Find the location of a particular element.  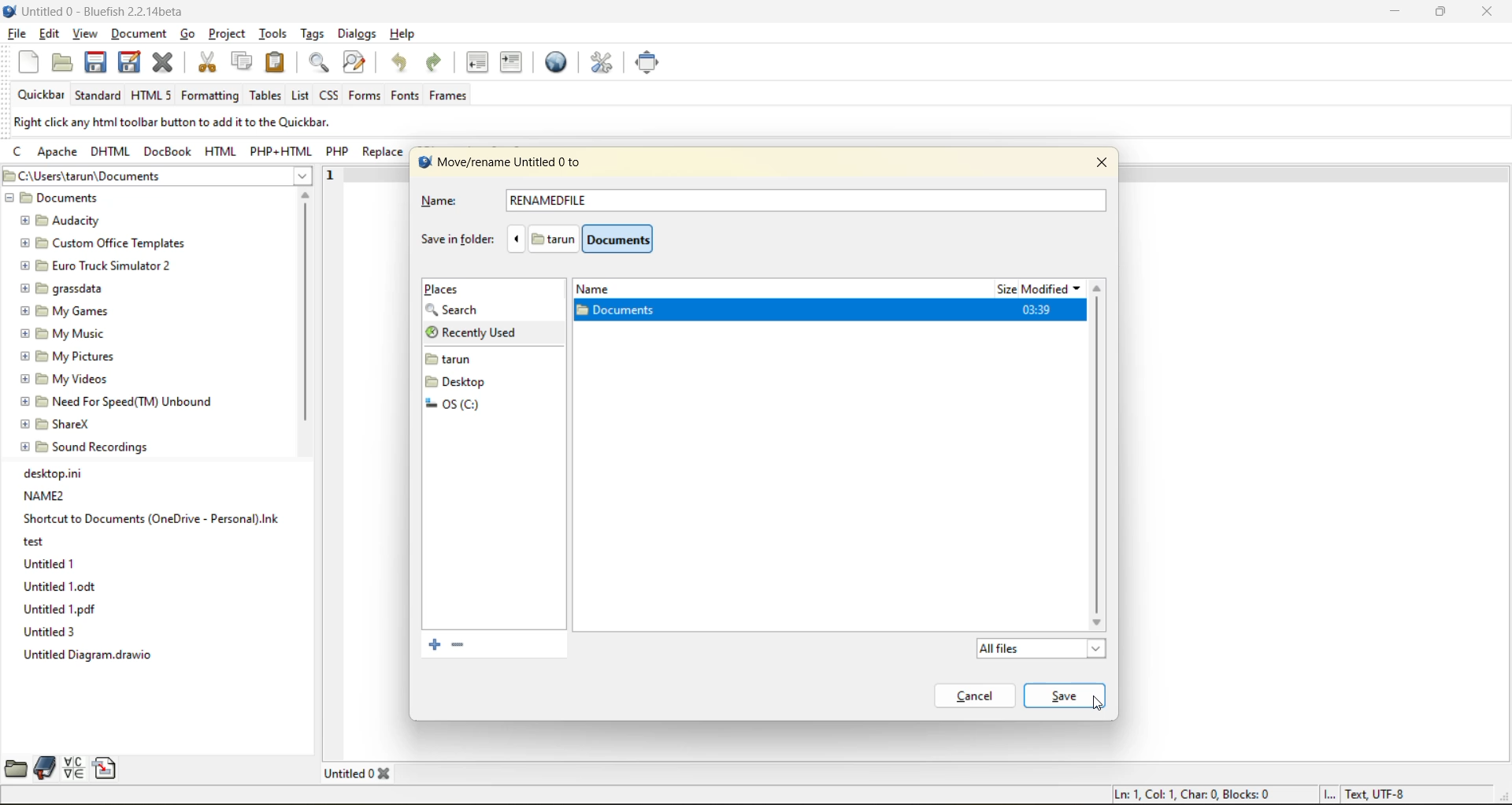

size  is located at coordinates (1004, 291).